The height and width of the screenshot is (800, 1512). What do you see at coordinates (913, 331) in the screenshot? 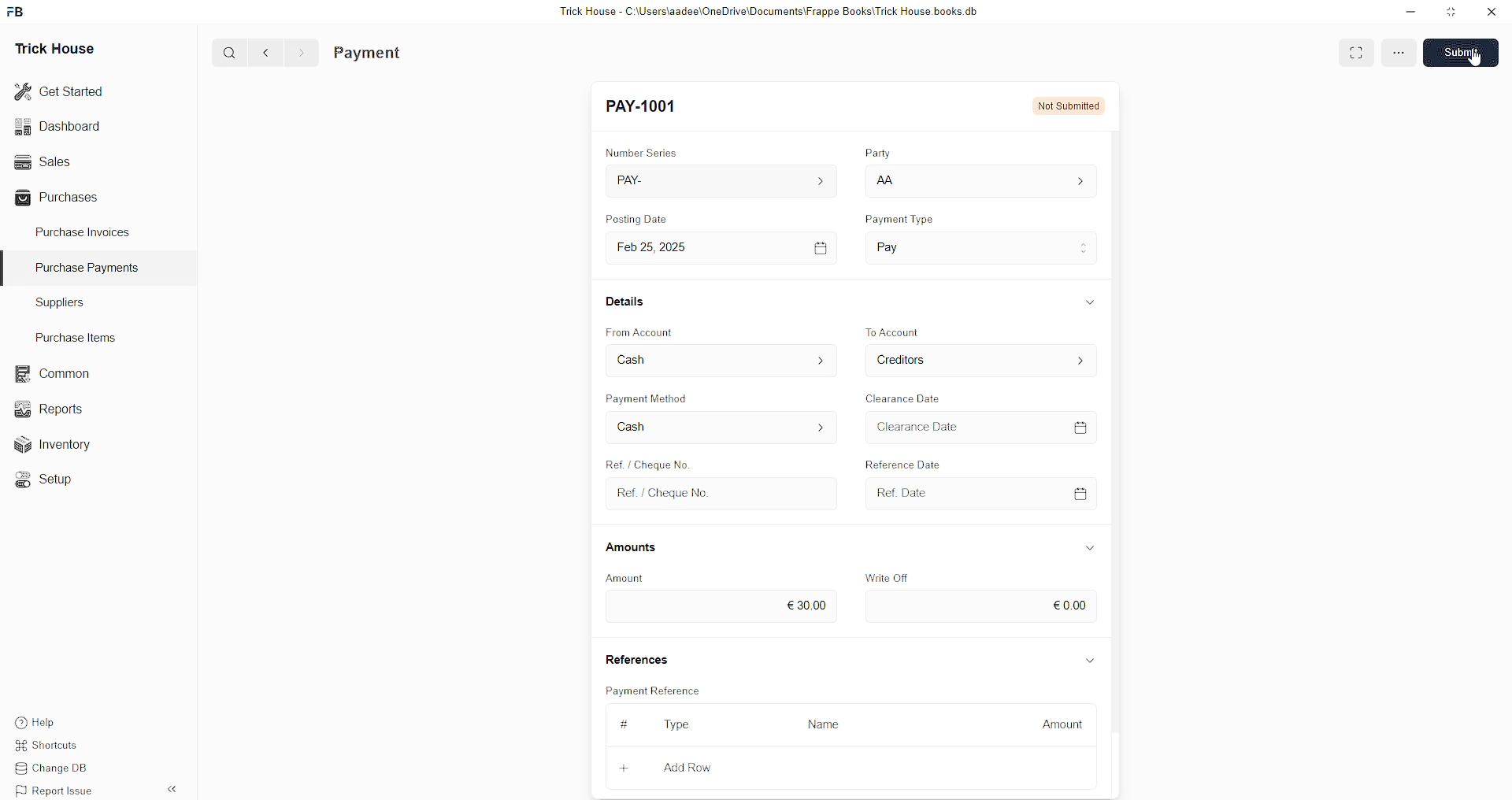
I see `to account` at bounding box center [913, 331].